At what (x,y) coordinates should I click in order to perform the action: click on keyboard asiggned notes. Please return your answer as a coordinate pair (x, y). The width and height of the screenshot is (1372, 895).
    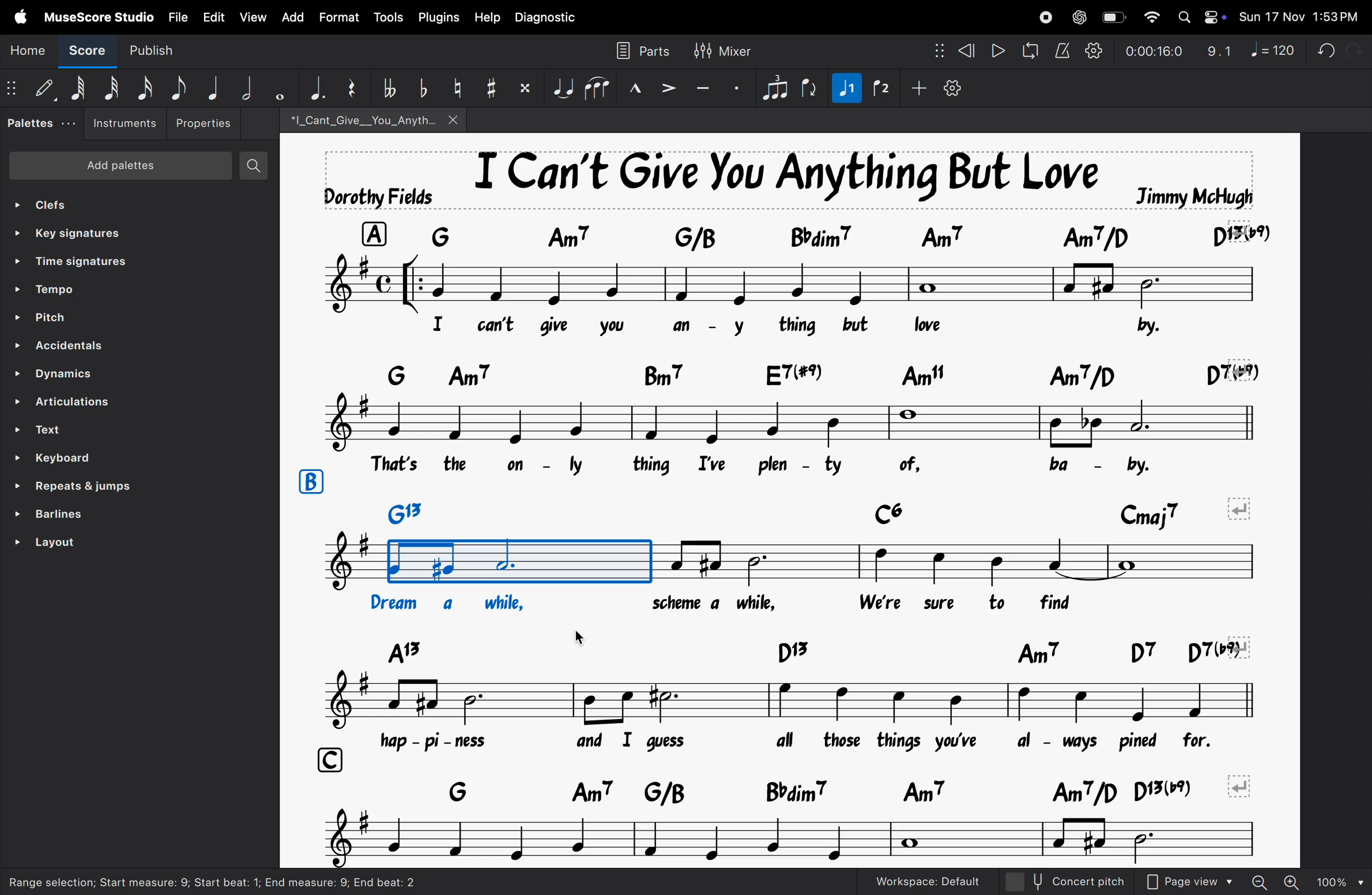
    Looking at the image, I should click on (807, 235).